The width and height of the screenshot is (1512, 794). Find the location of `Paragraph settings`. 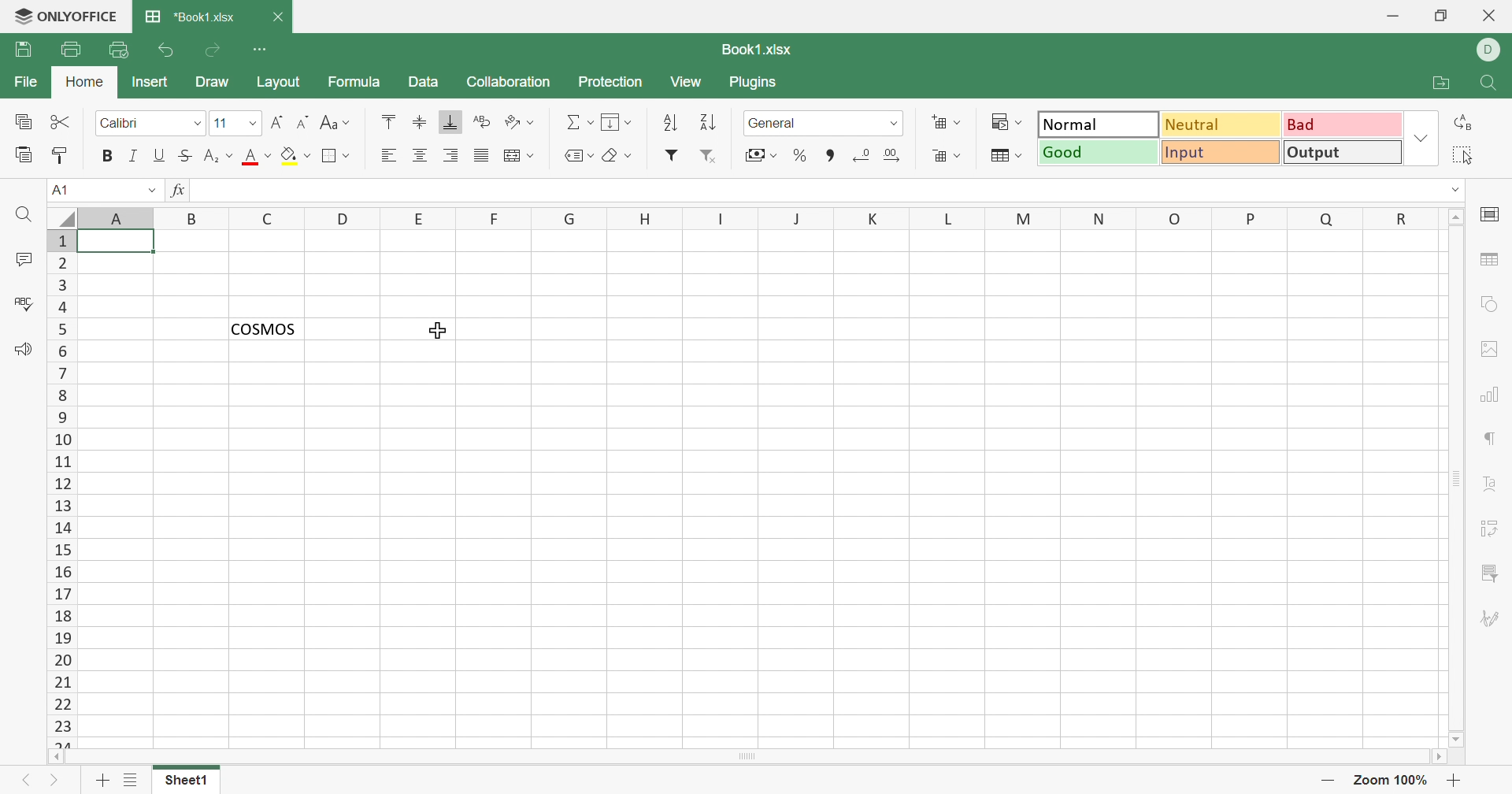

Paragraph settings is located at coordinates (1488, 441).